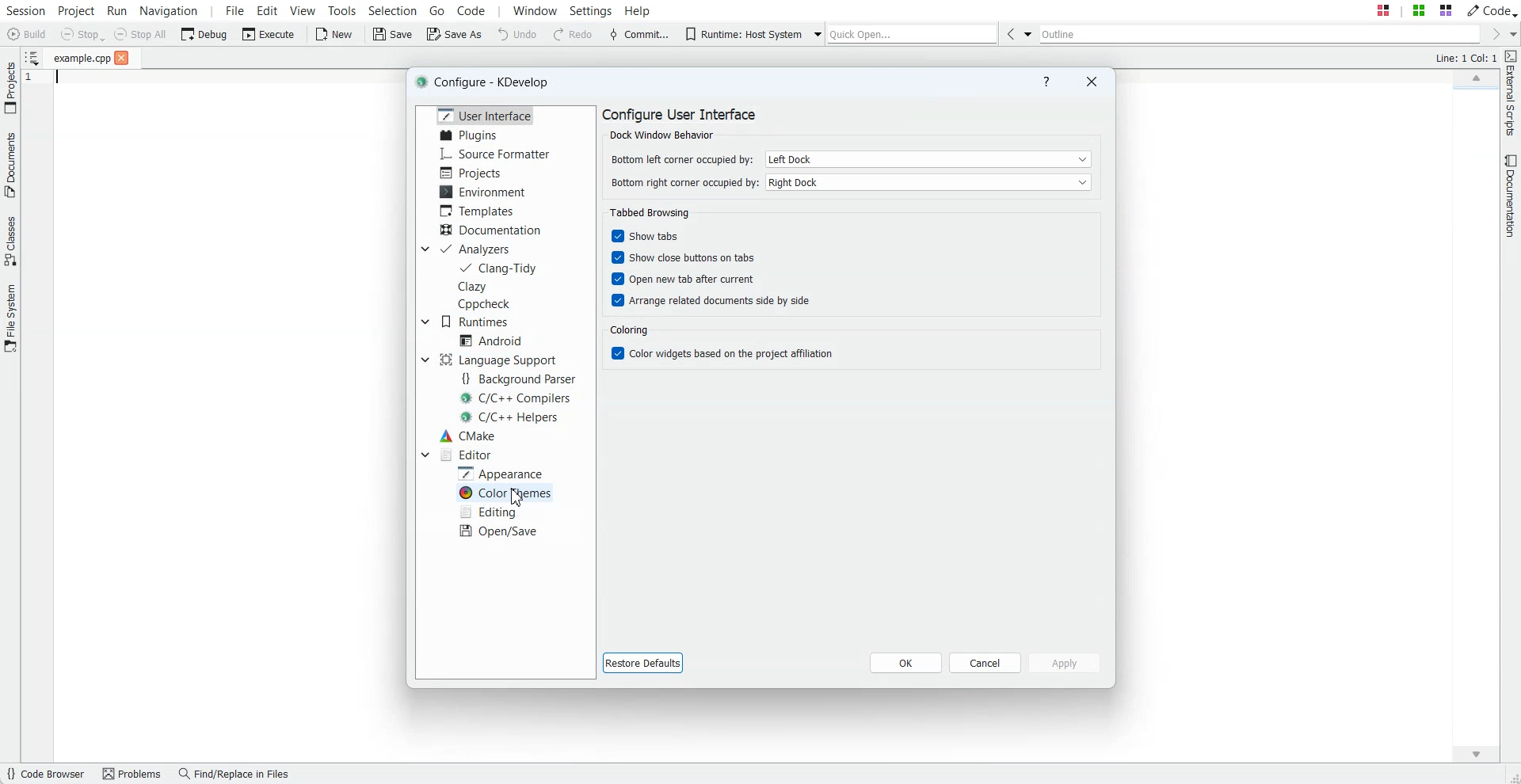  What do you see at coordinates (1475, 76) in the screenshot?
I see `Scroll up` at bounding box center [1475, 76].